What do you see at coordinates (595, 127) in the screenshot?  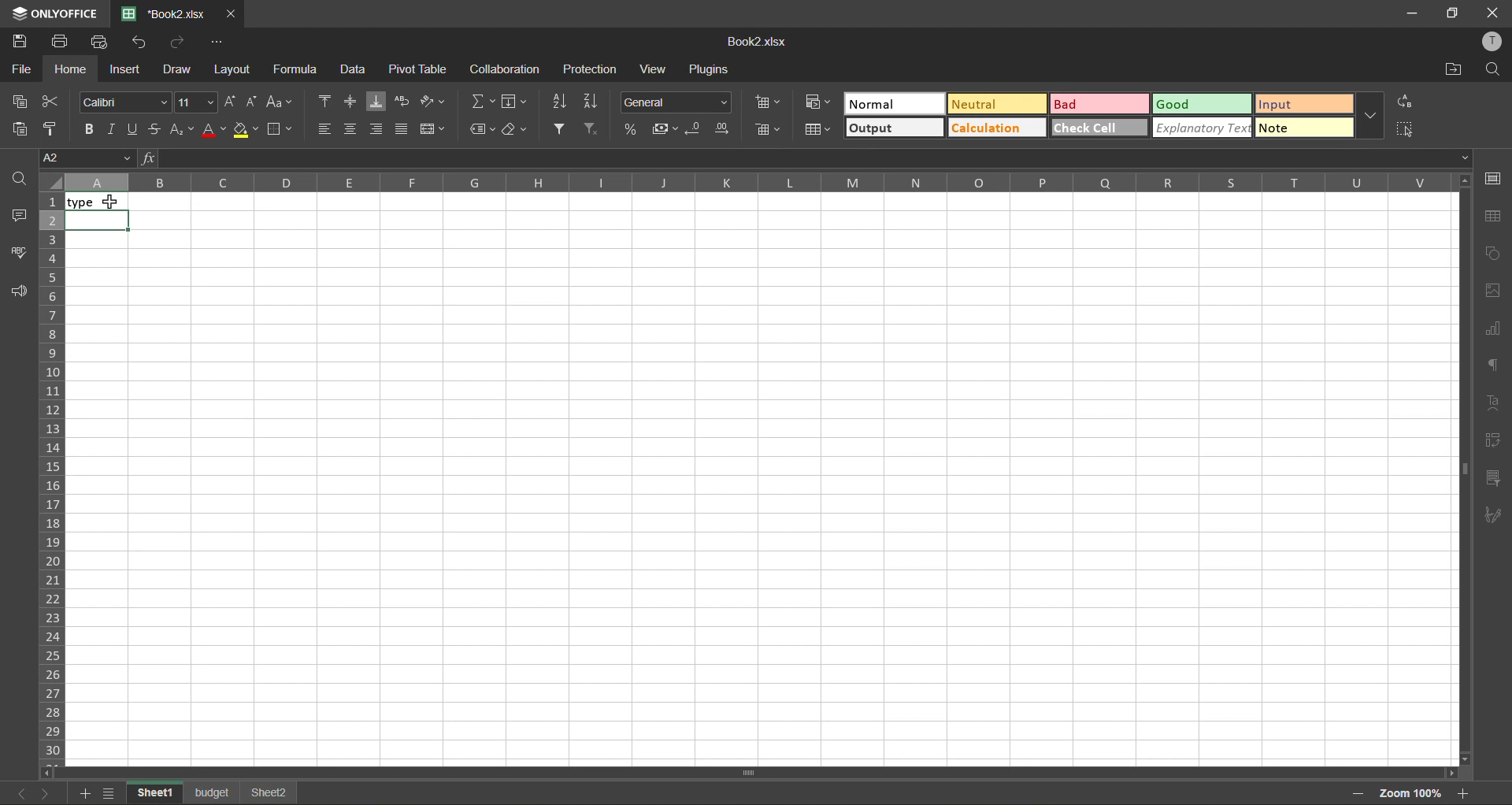 I see `clear filter` at bounding box center [595, 127].